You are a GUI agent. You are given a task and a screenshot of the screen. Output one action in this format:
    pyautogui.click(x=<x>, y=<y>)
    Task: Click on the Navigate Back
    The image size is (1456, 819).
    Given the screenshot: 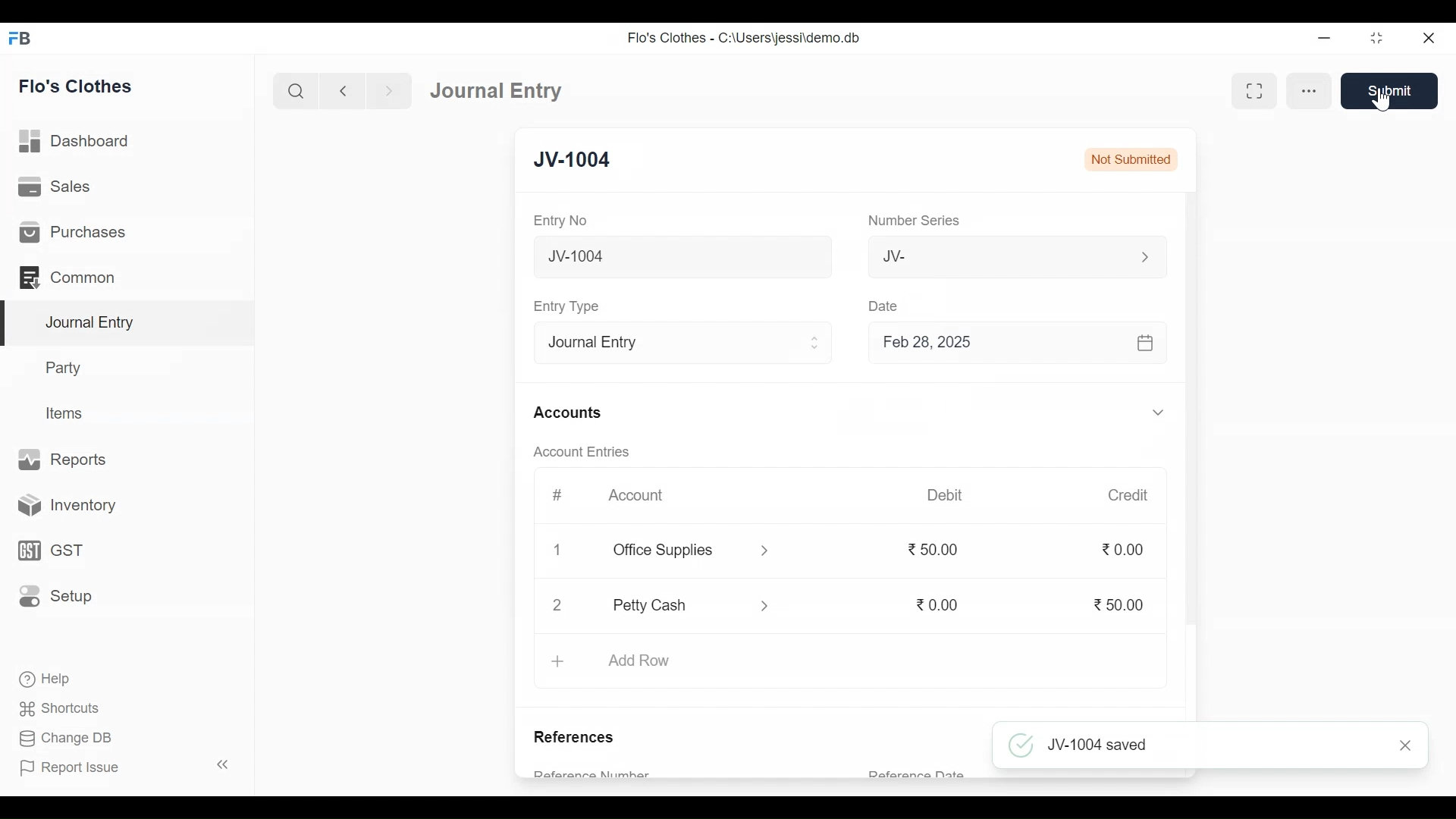 What is the action you would take?
    pyautogui.click(x=342, y=91)
    